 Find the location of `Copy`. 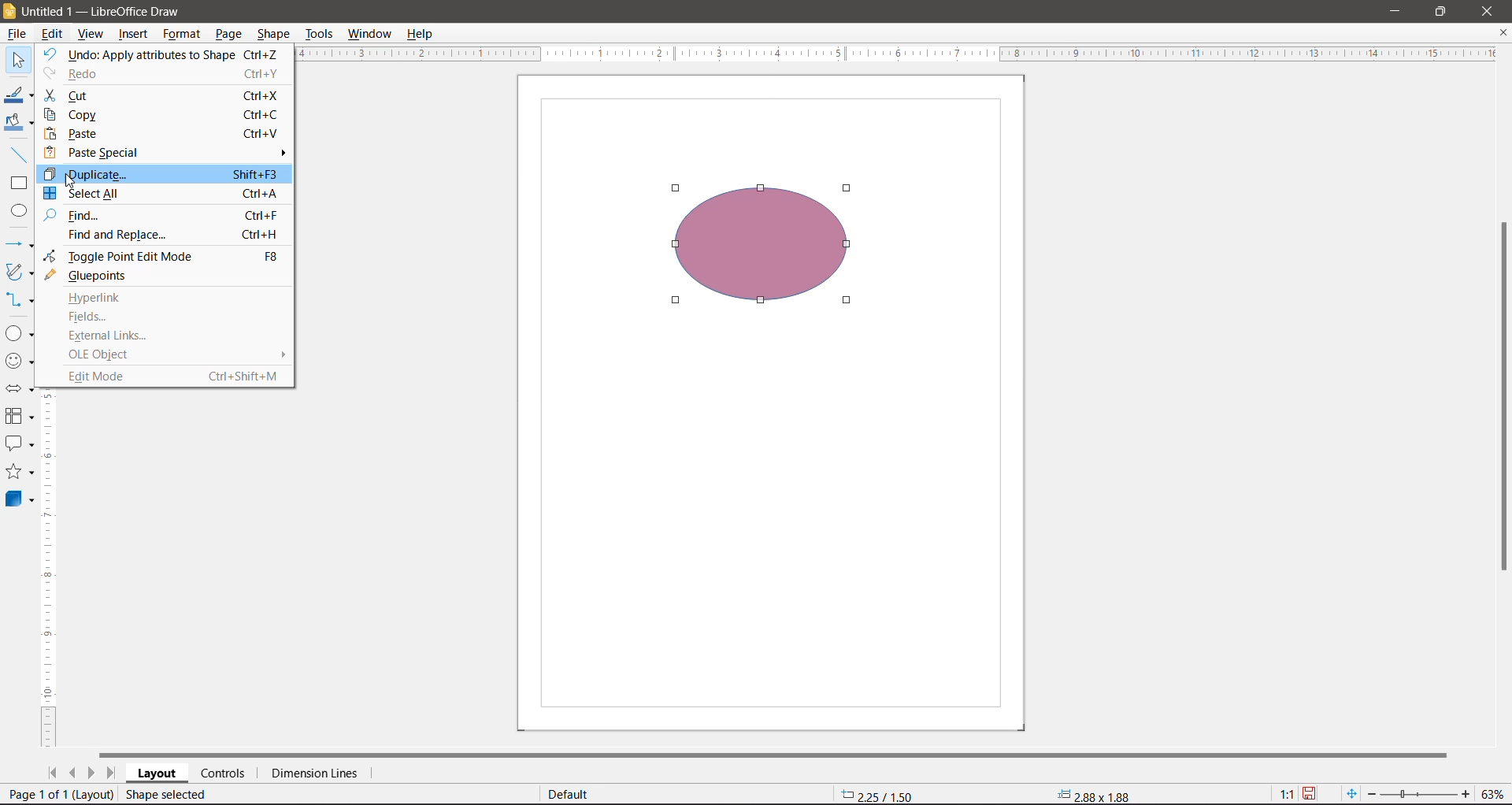

Copy is located at coordinates (162, 114).